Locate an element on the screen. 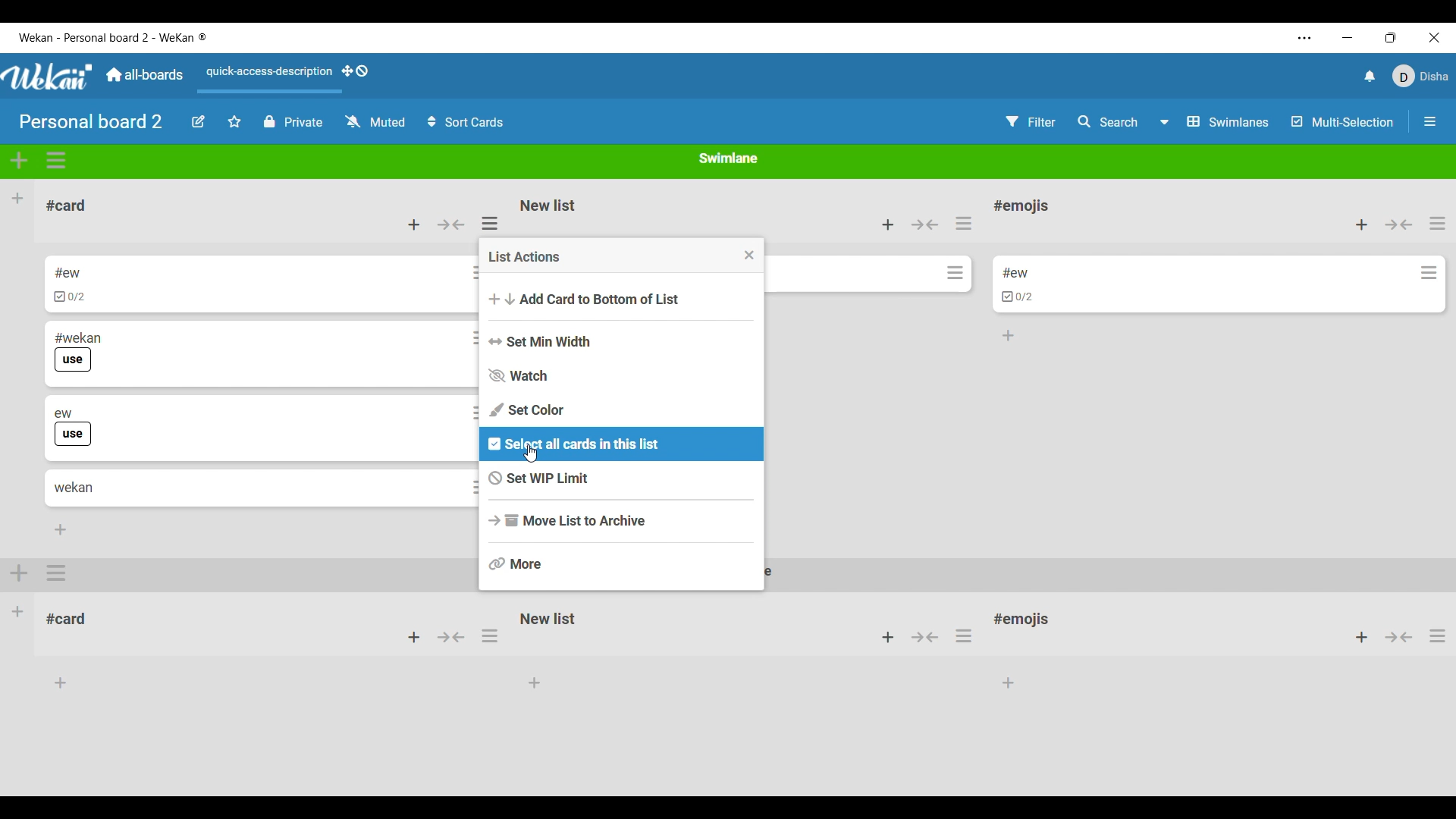  Card actions is located at coordinates (955, 272).